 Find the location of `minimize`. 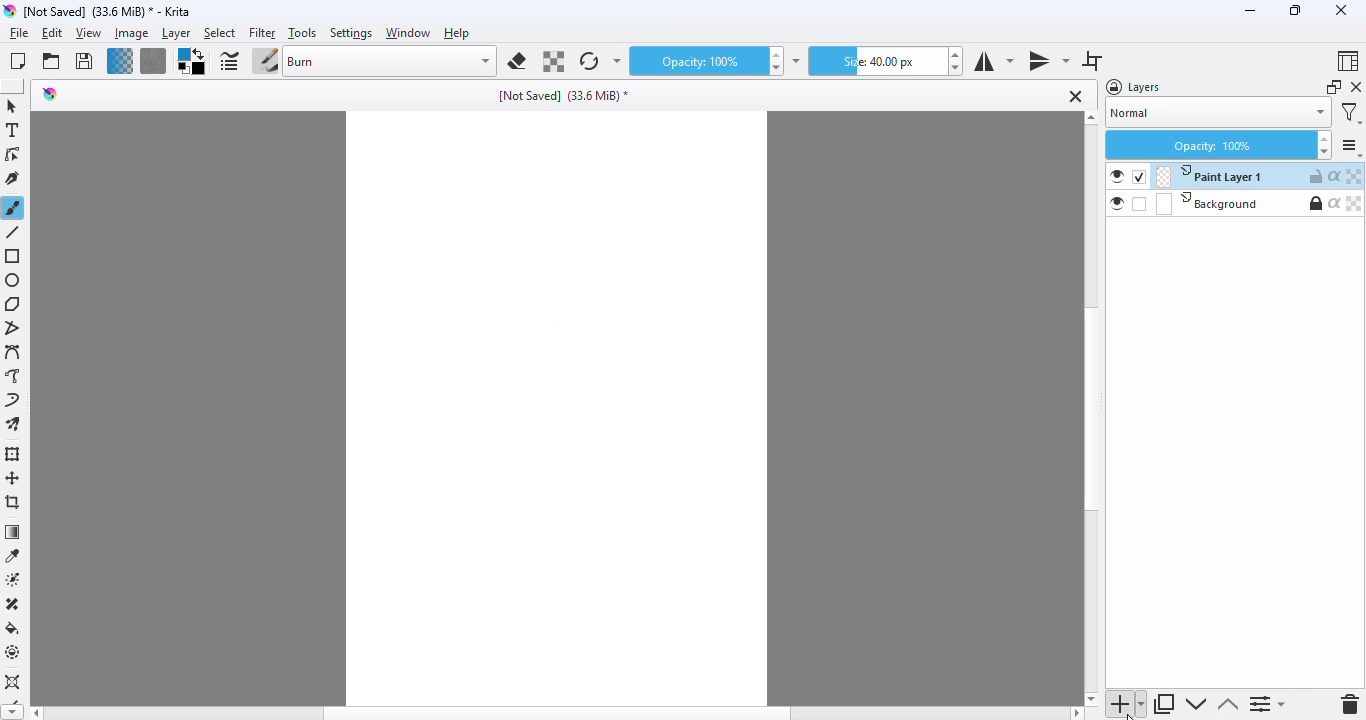

minimize is located at coordinates (1250, 10).